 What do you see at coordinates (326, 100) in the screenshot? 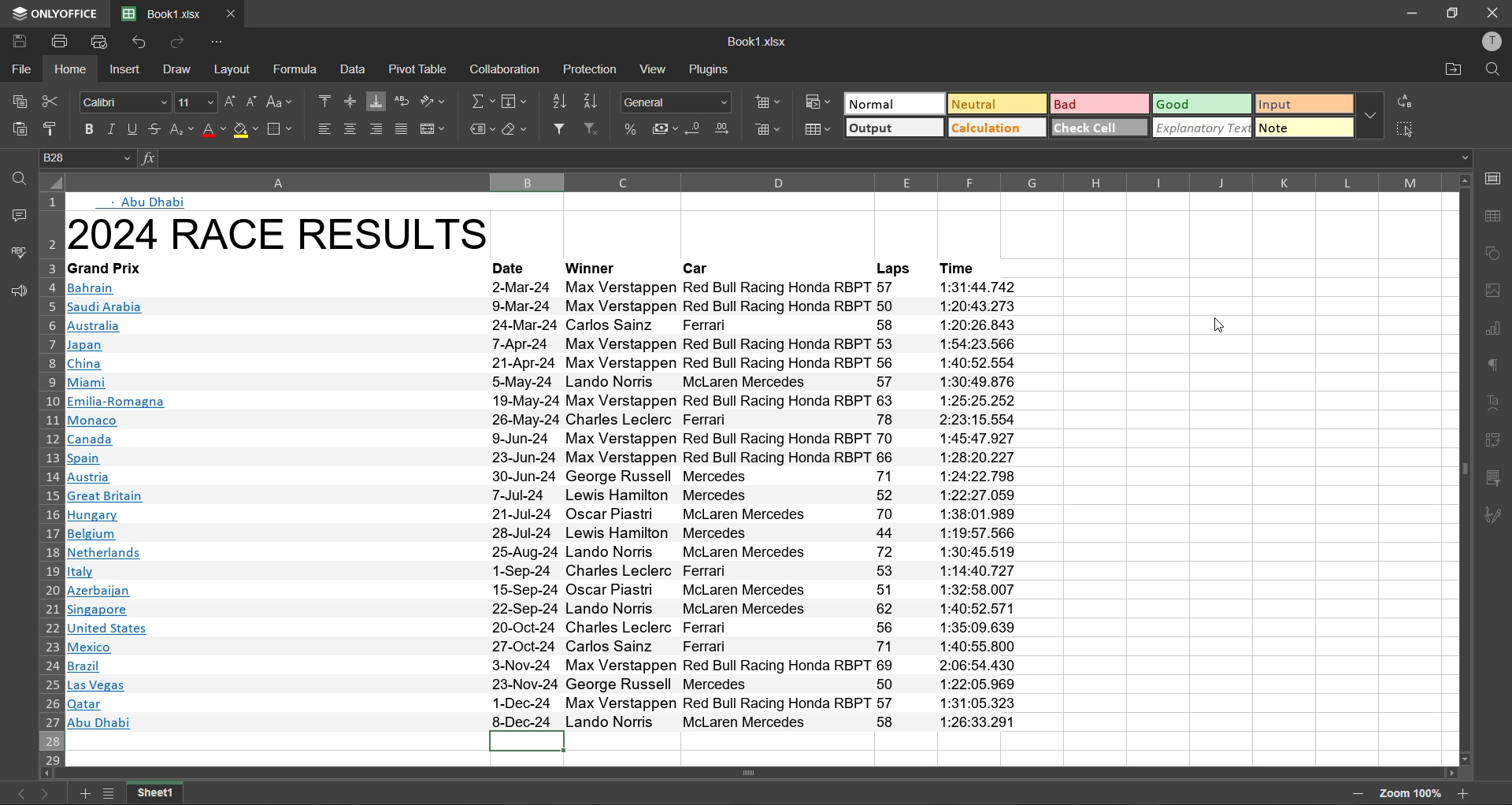
I see `align top` at bounding box center [326, 100].